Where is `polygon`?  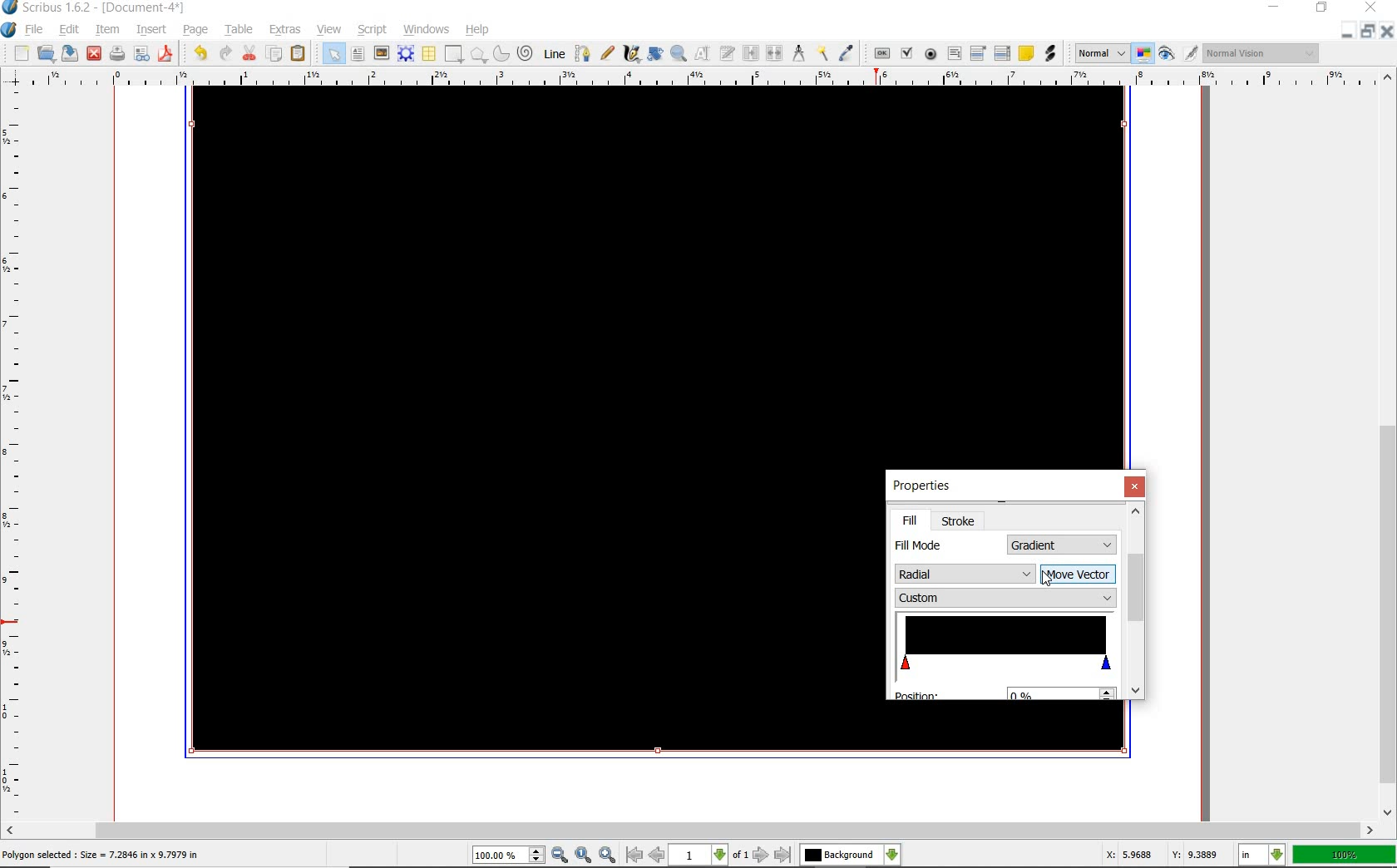
polygon is located at coordinates (479, 56).